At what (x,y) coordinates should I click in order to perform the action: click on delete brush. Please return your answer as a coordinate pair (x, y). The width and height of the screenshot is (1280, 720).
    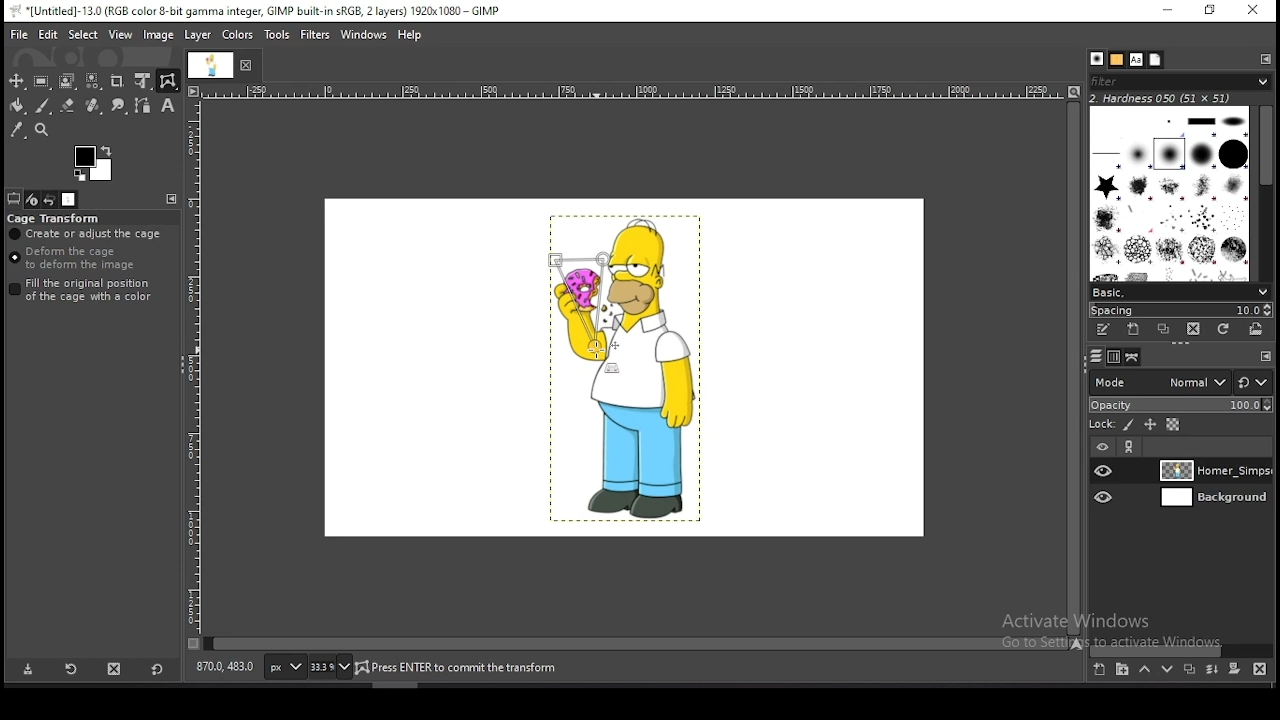
    Looking at the image, I should click on (1195, 330).